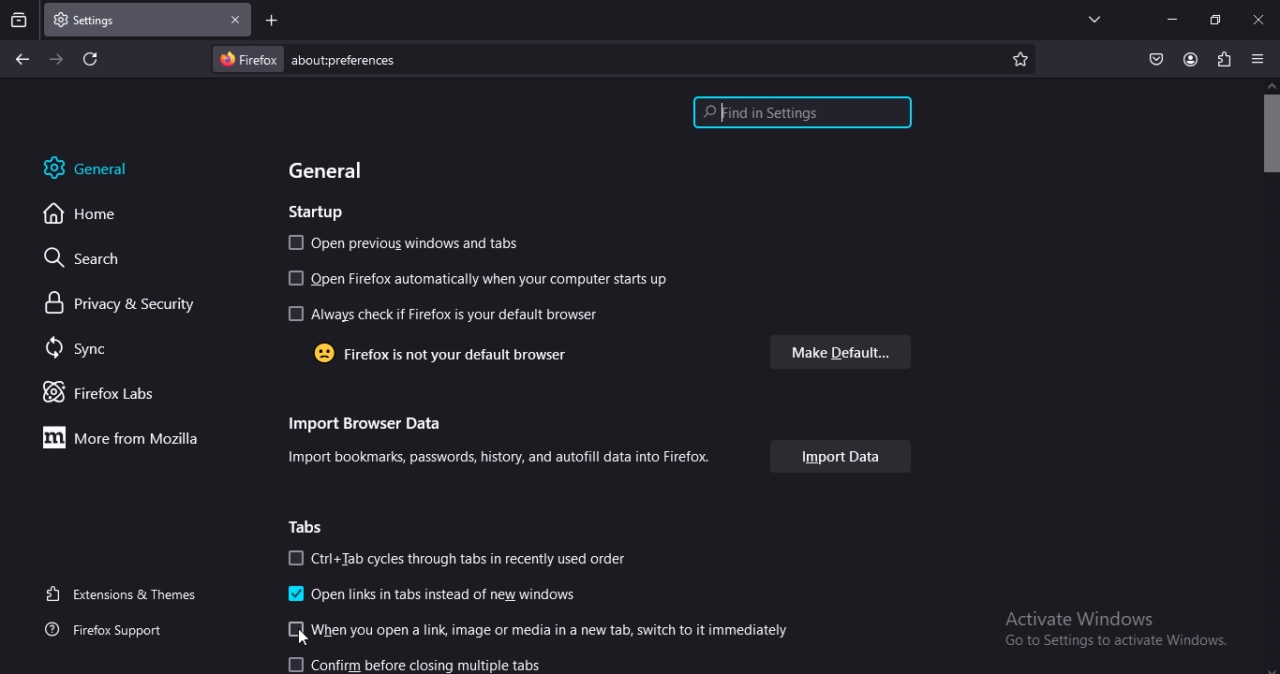  Describe the element at coordinates (846, 455) in the screenshot. I see `import data` at that location.